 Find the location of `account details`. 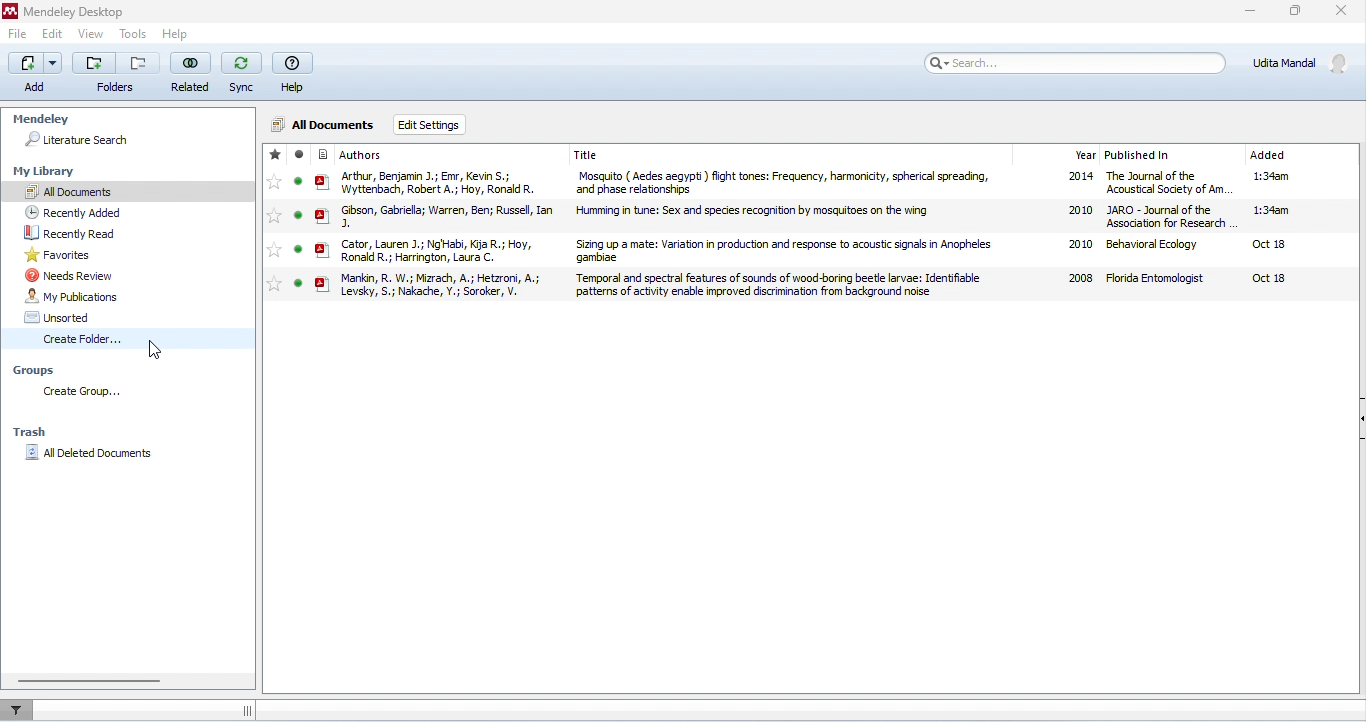

account details is located at coordinates (1304, 63).